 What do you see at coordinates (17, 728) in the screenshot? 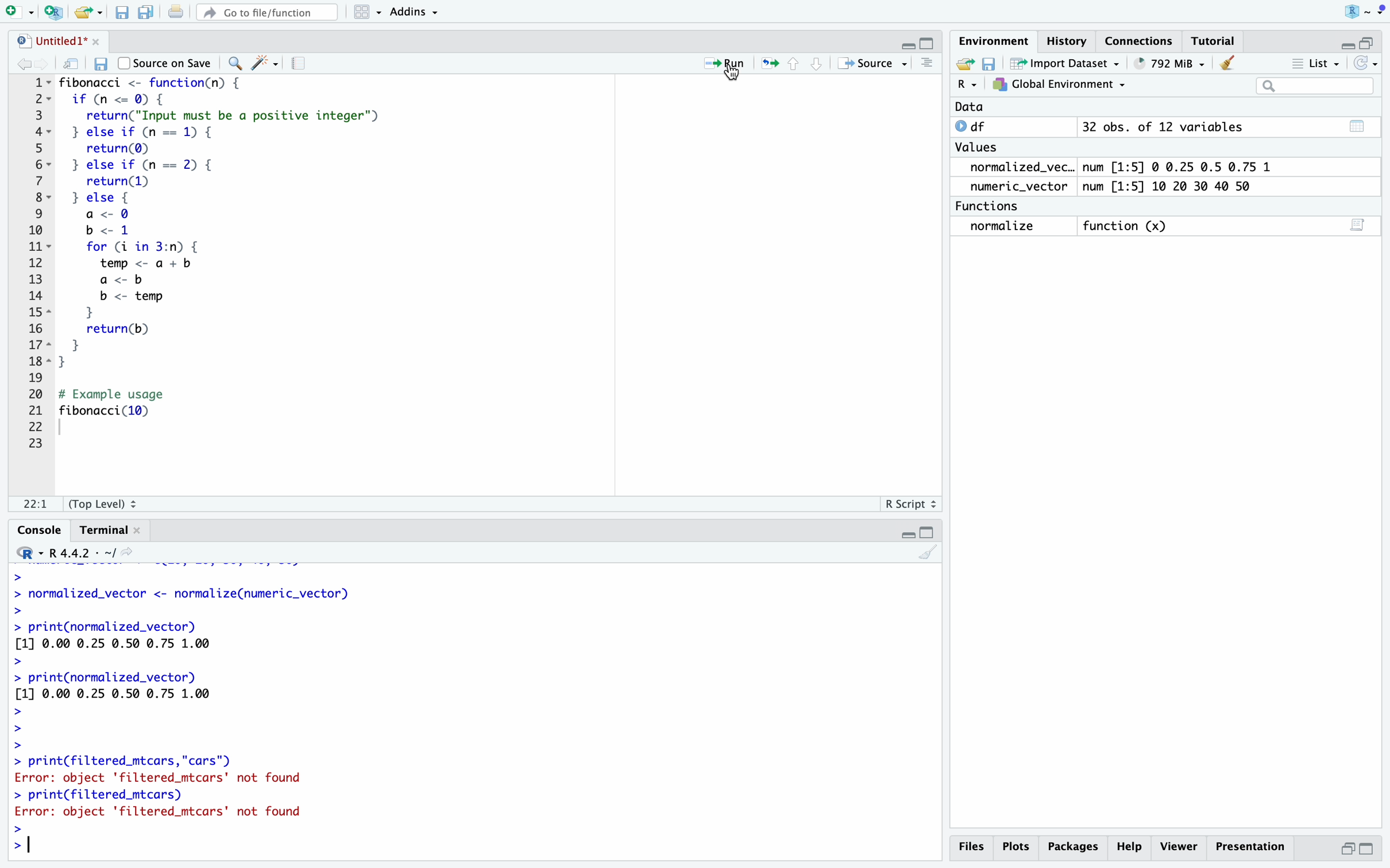
I see `prompt cursor` at bounding box center [17, 728].